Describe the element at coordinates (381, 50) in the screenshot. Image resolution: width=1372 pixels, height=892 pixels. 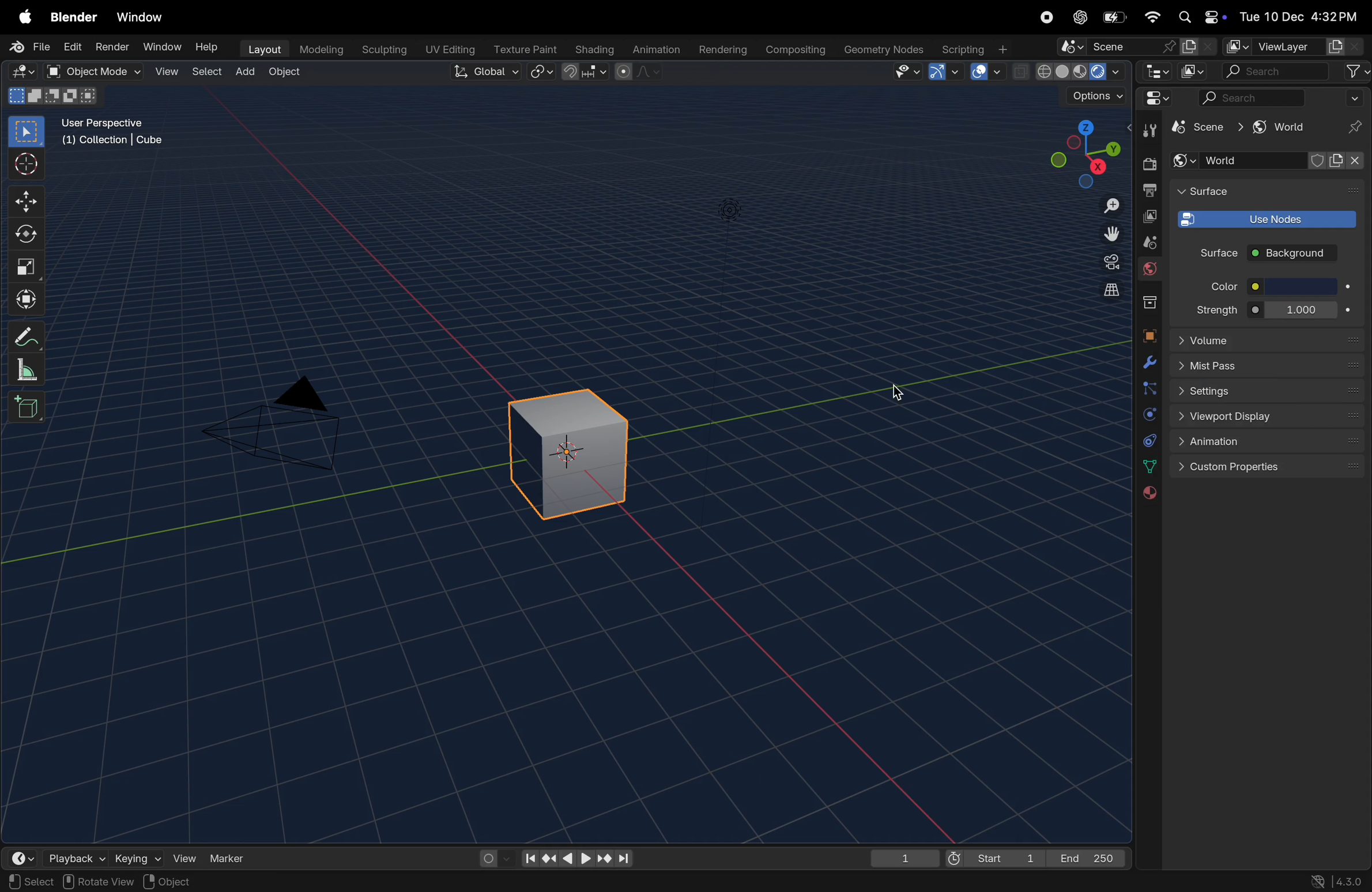
I see `Sculpting` at that location.